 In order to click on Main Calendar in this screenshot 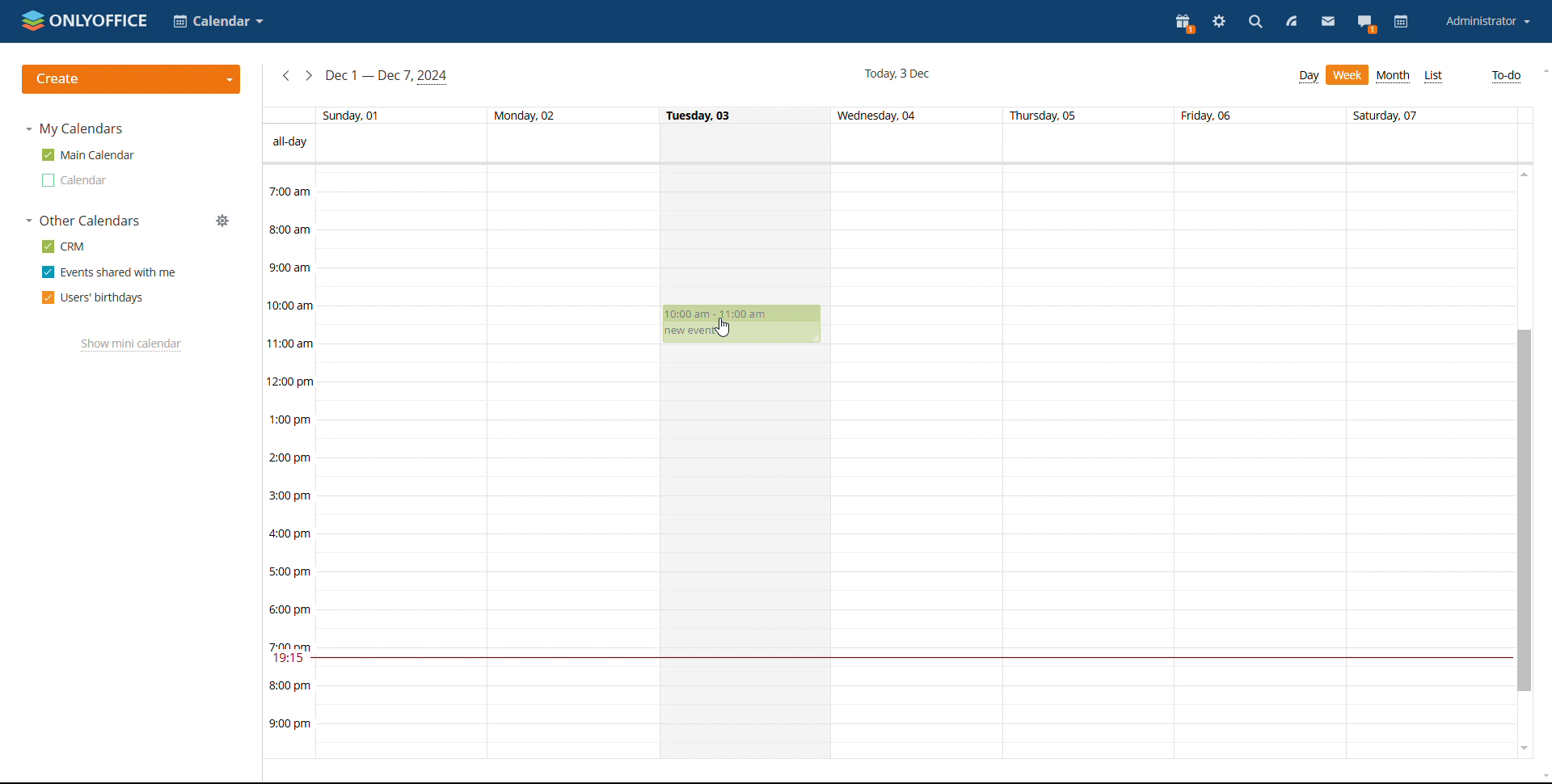, I will do `click(89, 154)`.